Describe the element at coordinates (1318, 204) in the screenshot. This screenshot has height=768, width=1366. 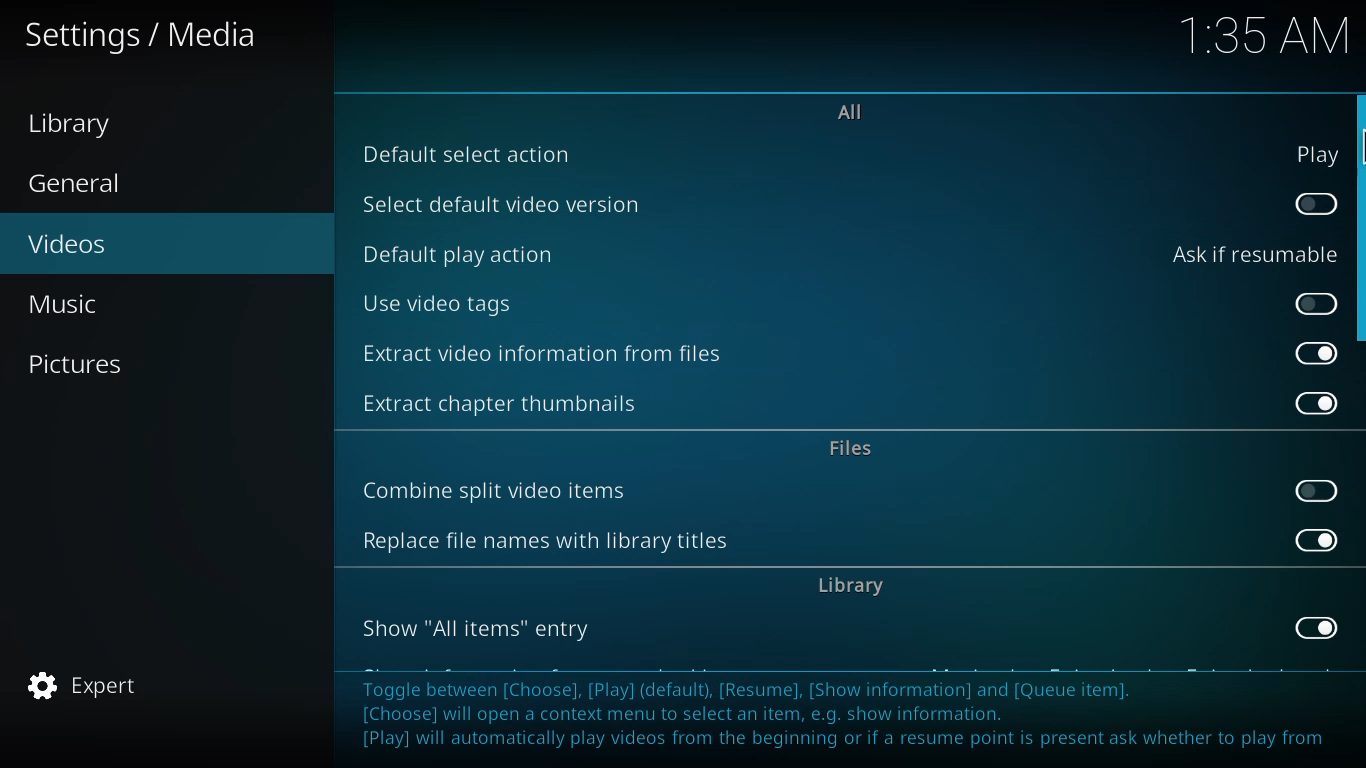
I see `enable` at that location.